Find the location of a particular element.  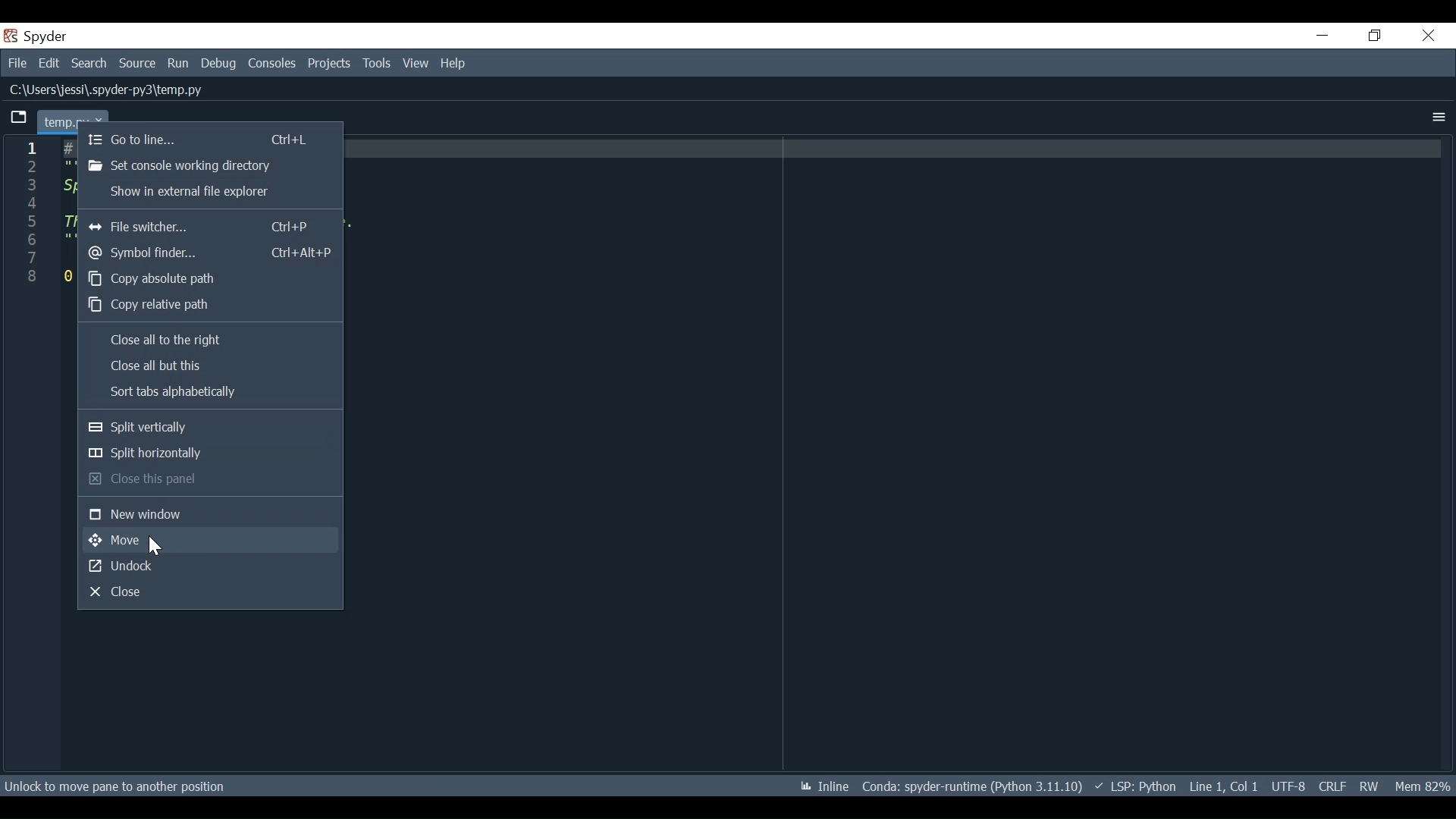

File EQL Status is located at coordinates (1331, 787).